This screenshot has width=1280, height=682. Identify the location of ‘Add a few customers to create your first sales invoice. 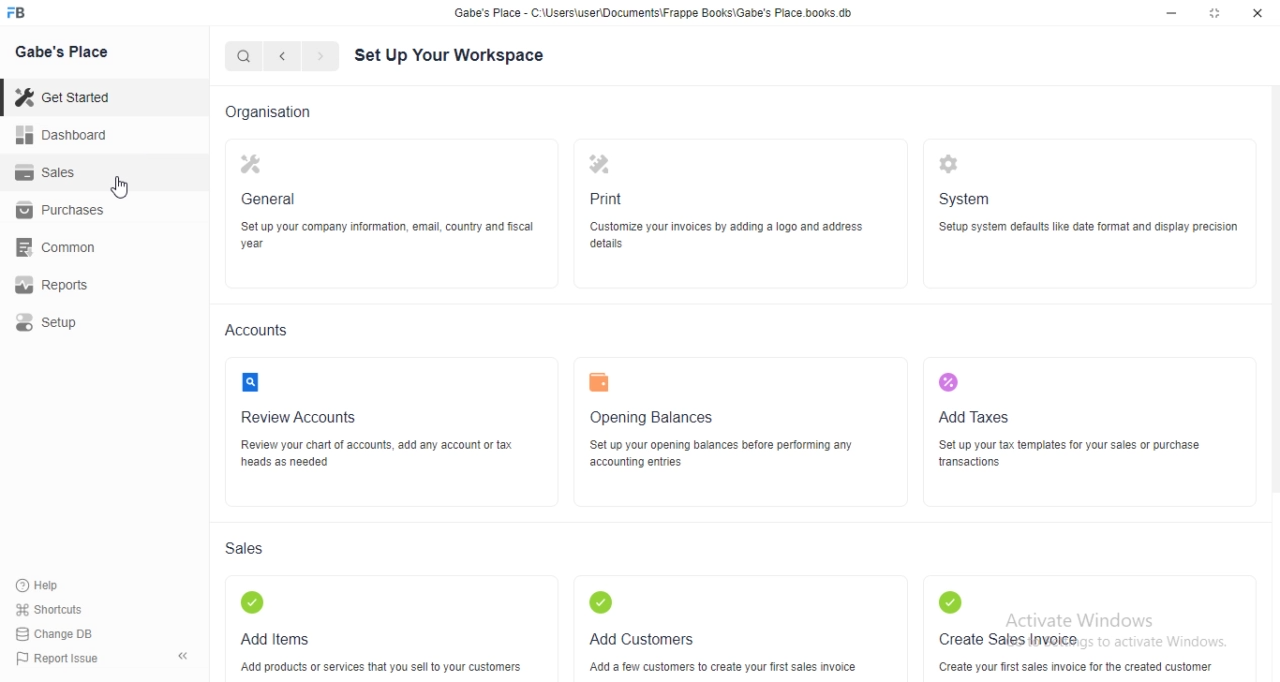
(727, 666).